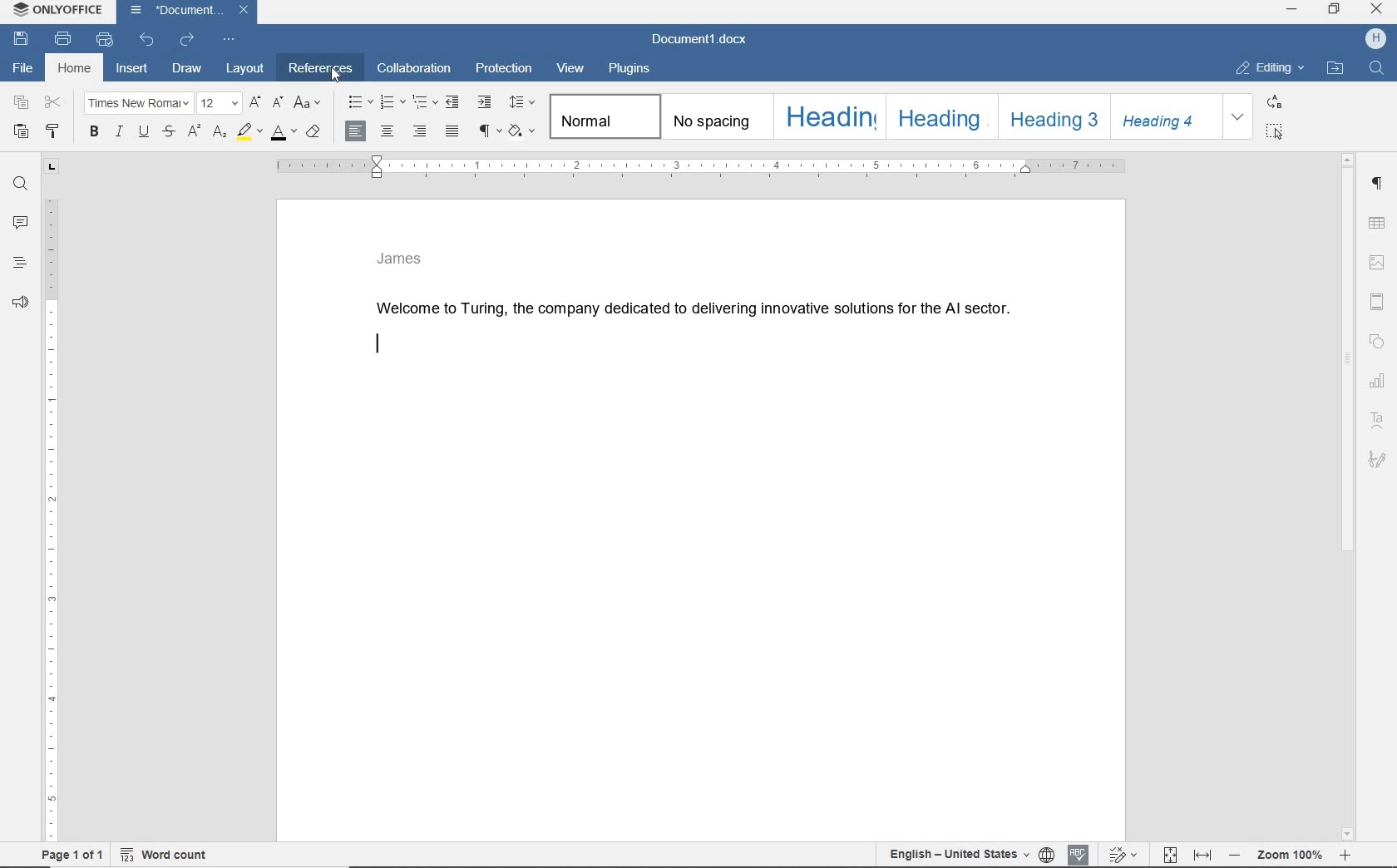 This screenshot has height=868, width=1397. Describe the element at coordinates (391, 131) in the screenshot. I see `align center` at that location.